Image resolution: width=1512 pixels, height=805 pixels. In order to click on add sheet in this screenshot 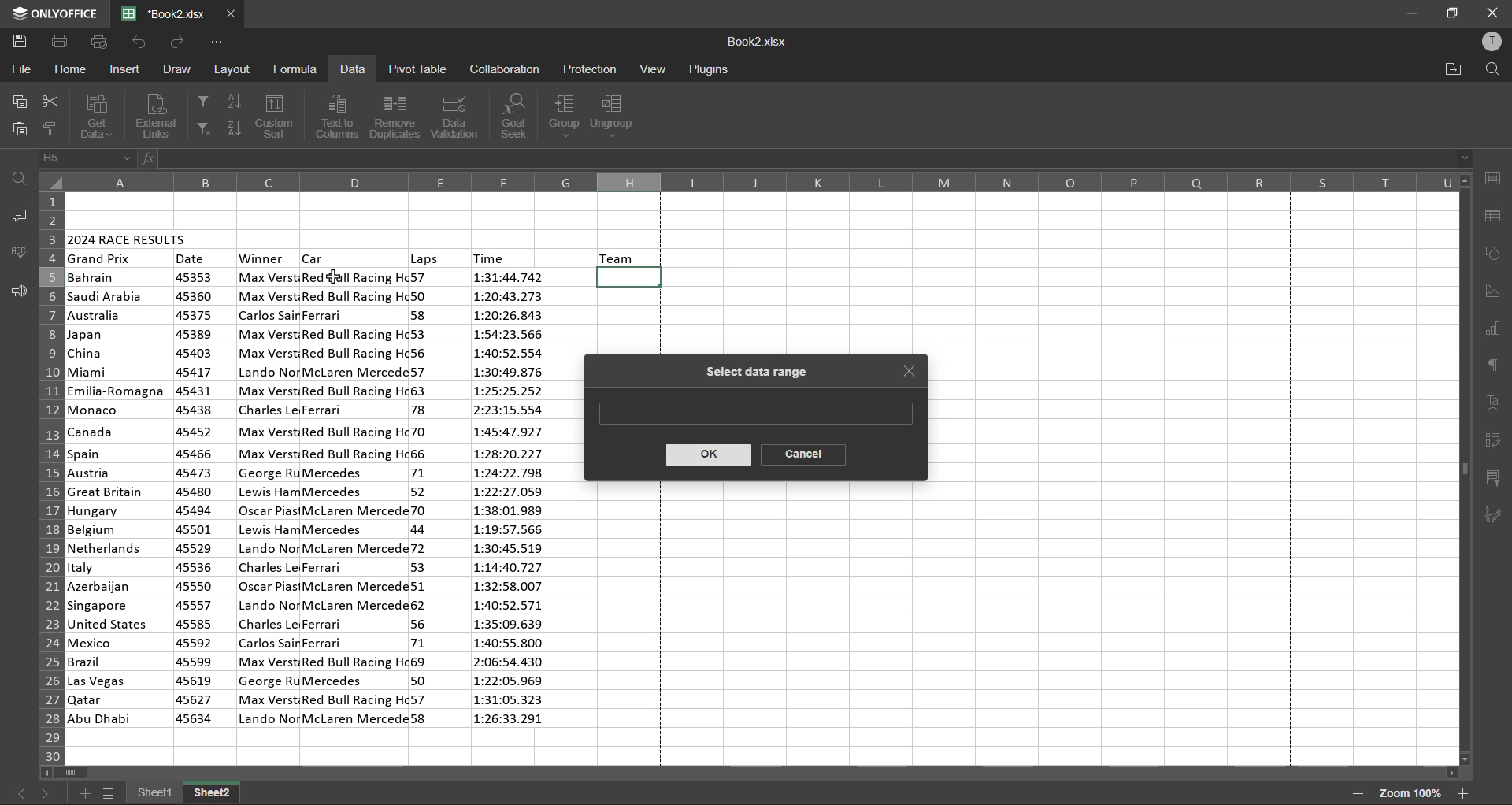, I will do `click(84, 793)`.